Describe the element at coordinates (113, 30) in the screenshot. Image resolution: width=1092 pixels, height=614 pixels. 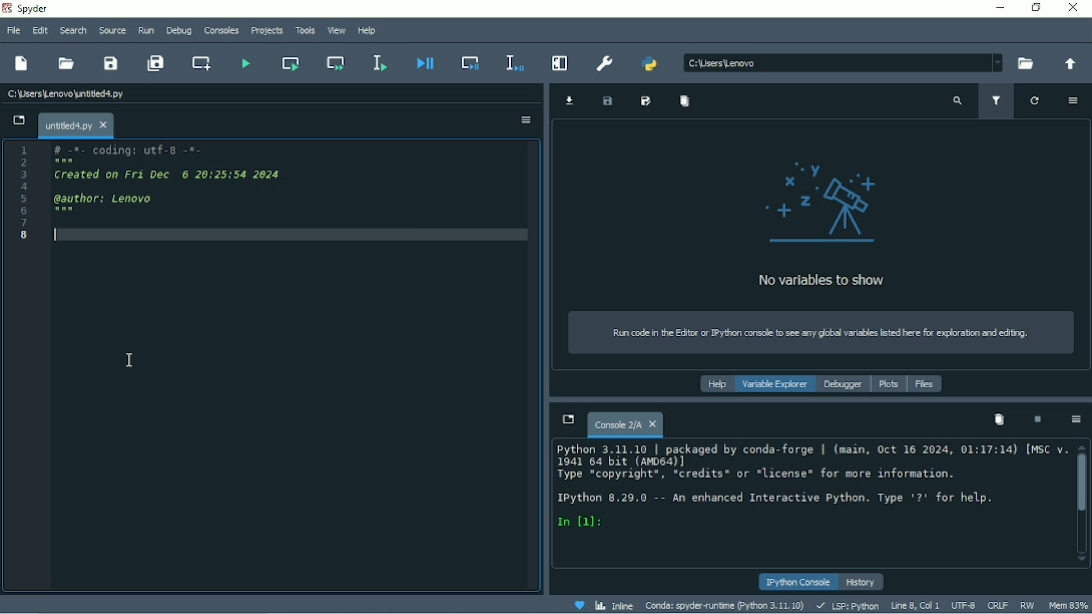
I see `Source` at that location.